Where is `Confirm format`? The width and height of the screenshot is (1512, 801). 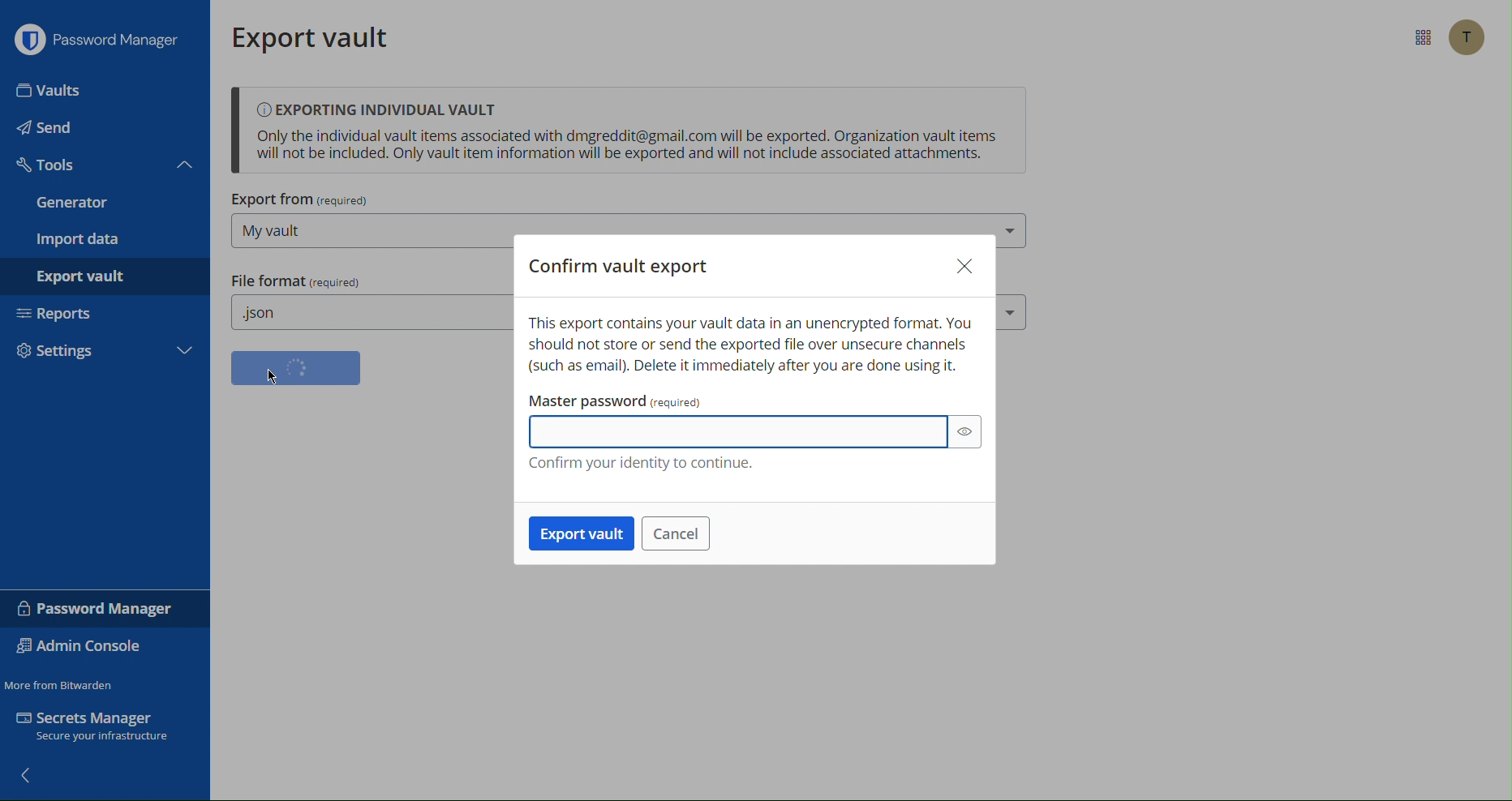
Confirm format is located at coordinates (296, 368).